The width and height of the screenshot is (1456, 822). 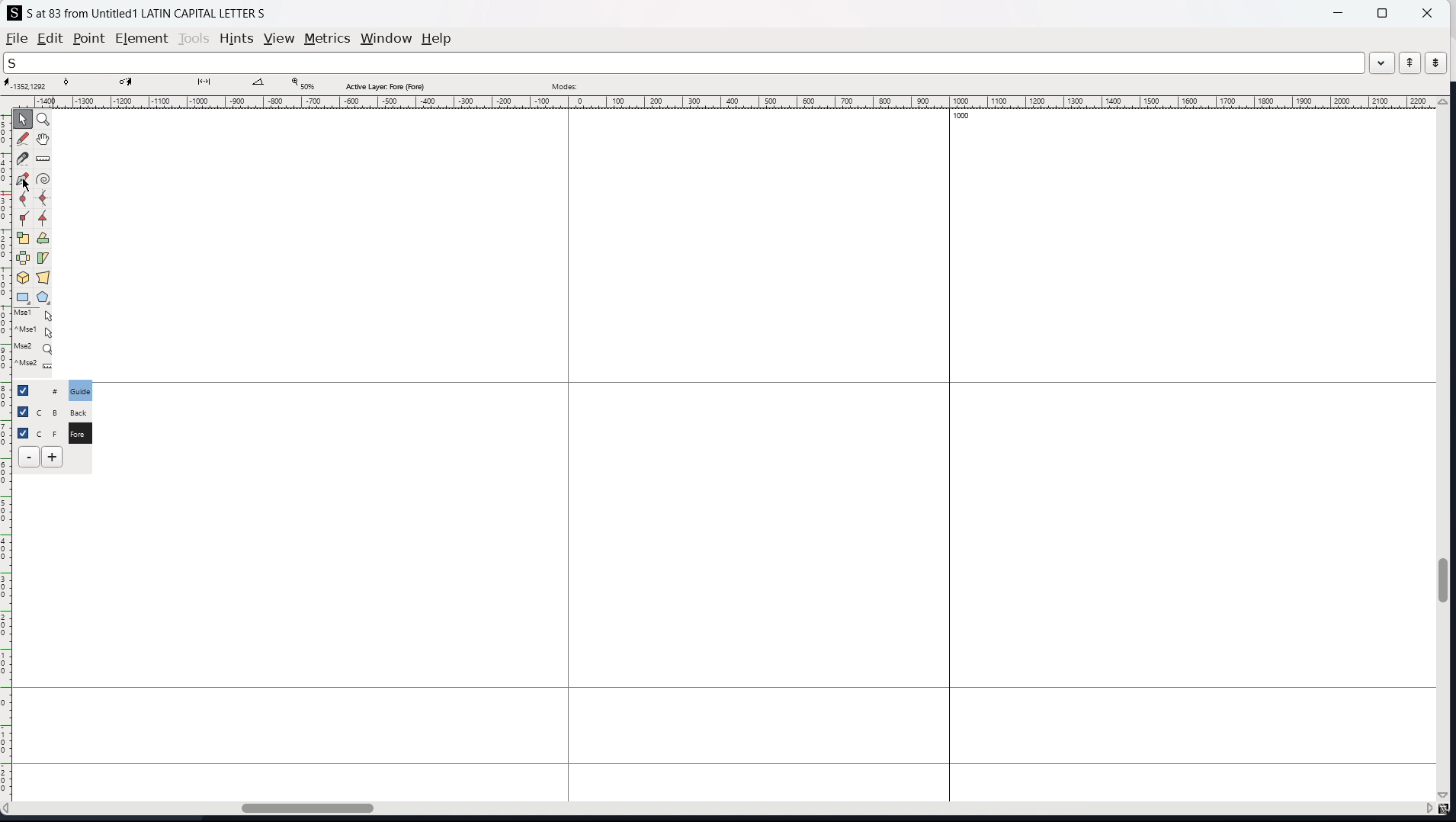 I want to click on S at 83 from Untitled 1 LATIN CAPITAL LETTER S, so click(x=149, y=12).